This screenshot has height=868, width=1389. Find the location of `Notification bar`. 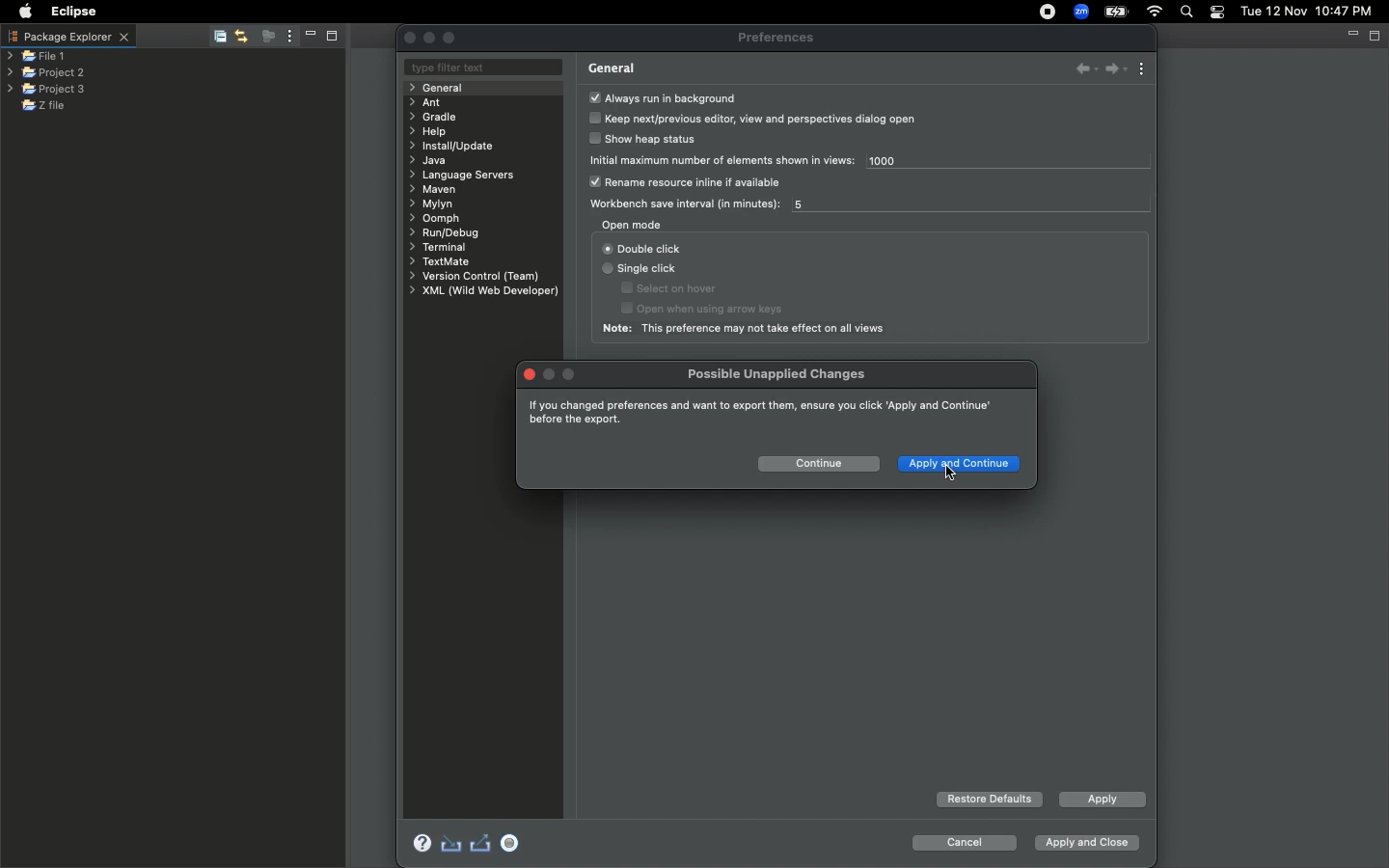

Notification bar is located at coordinates (1216, 14).